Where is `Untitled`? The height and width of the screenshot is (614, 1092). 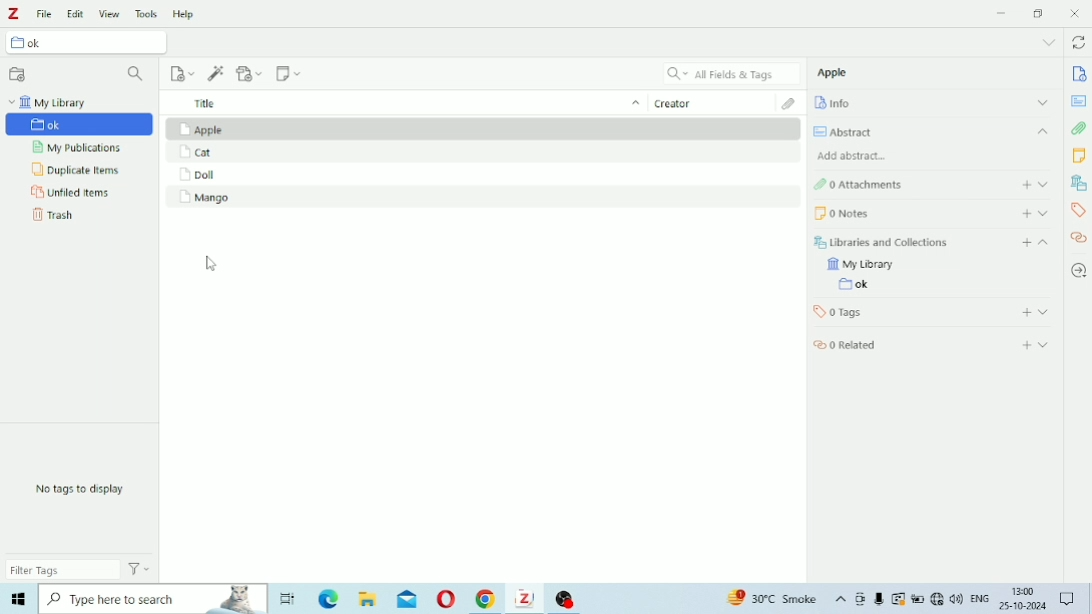 Untitled is located at coordinates (85, 42).